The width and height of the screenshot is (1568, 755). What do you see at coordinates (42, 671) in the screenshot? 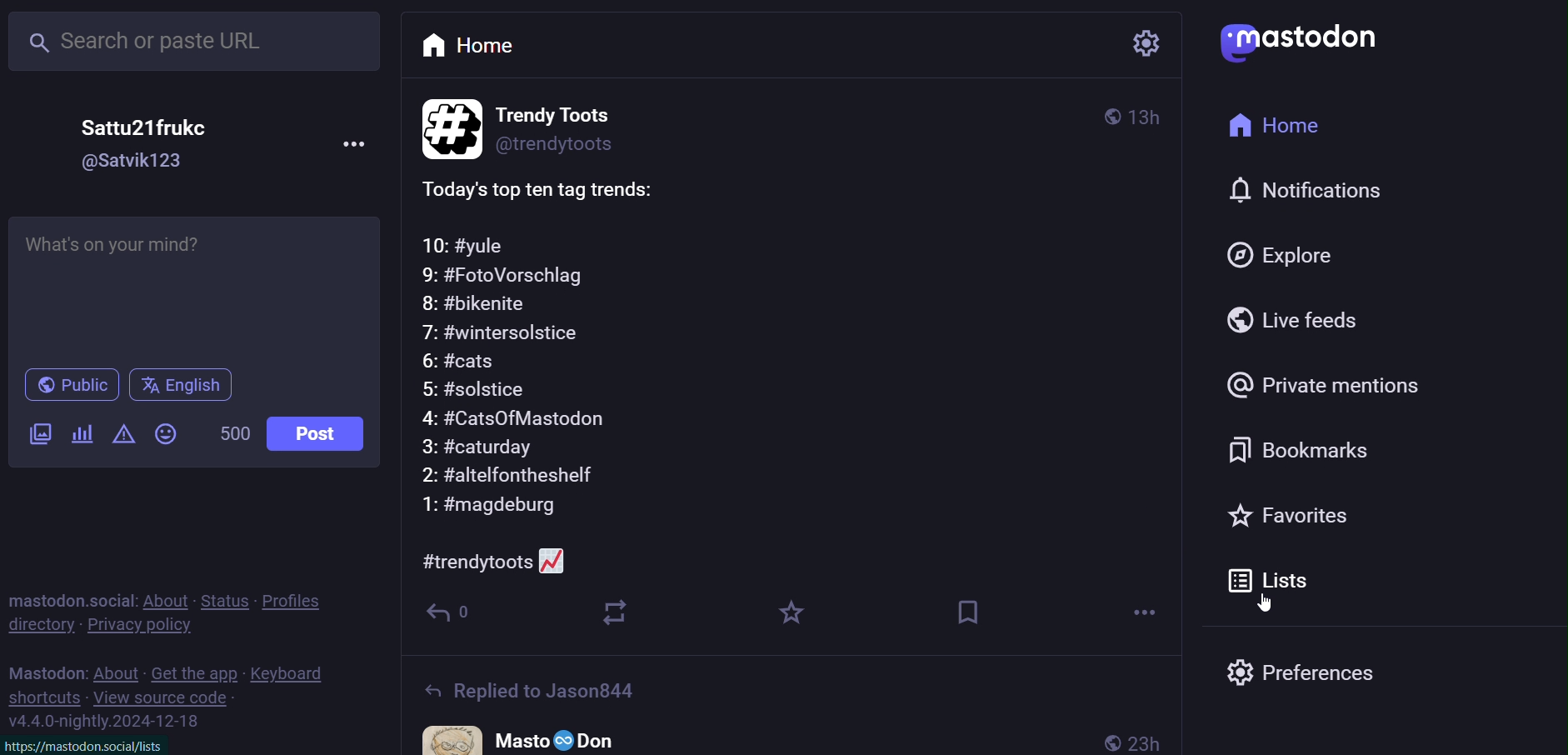
I see `mastodon` at bounding box center [42, 671].